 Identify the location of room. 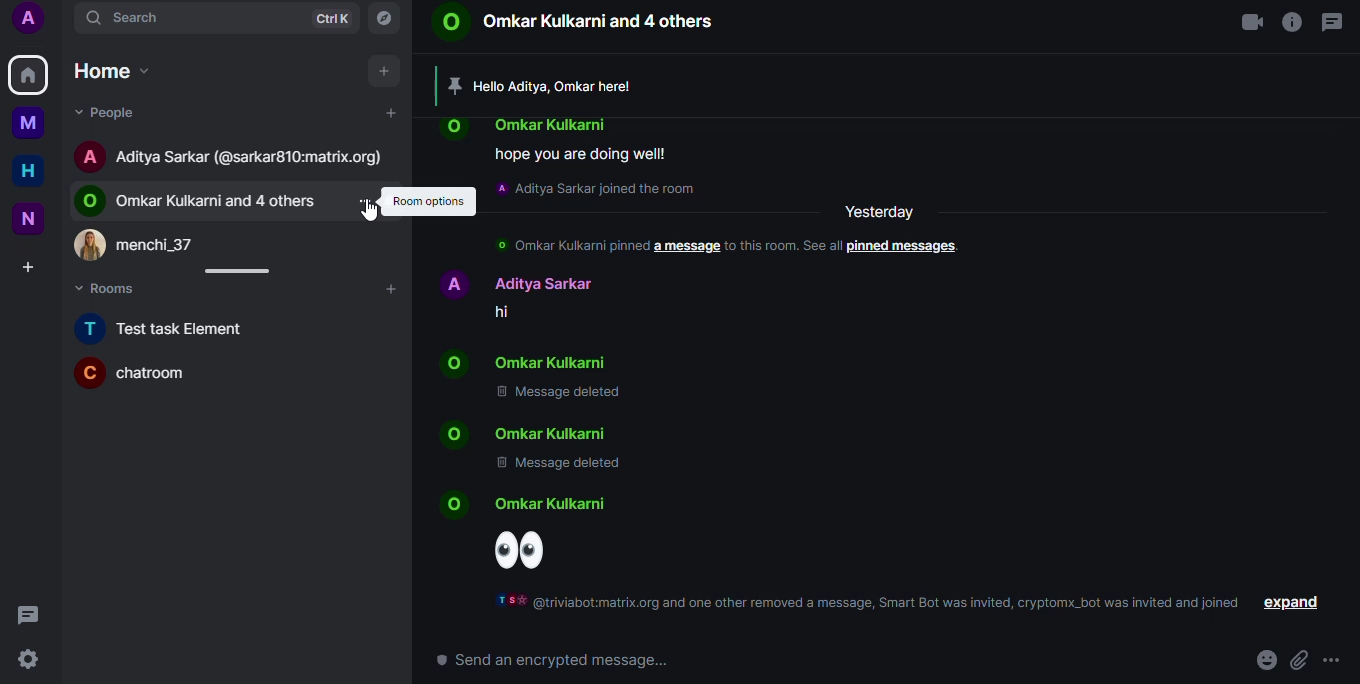
(168, 330).